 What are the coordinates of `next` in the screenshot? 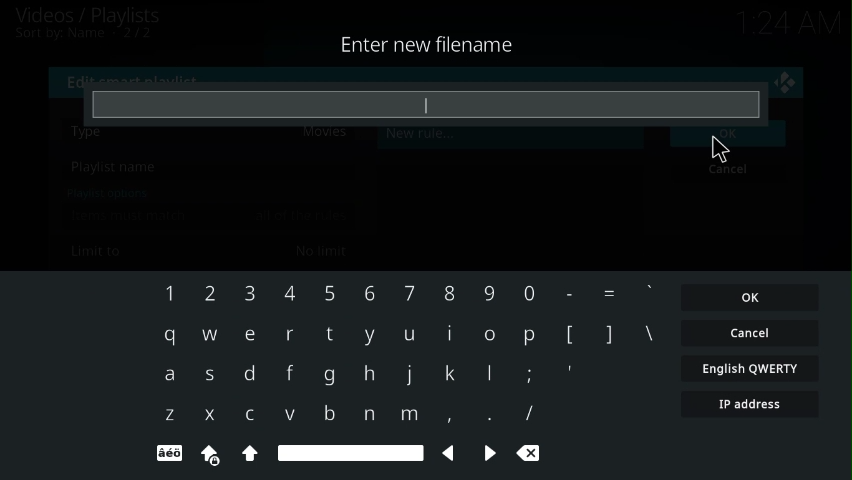 It's located at (490, 452).